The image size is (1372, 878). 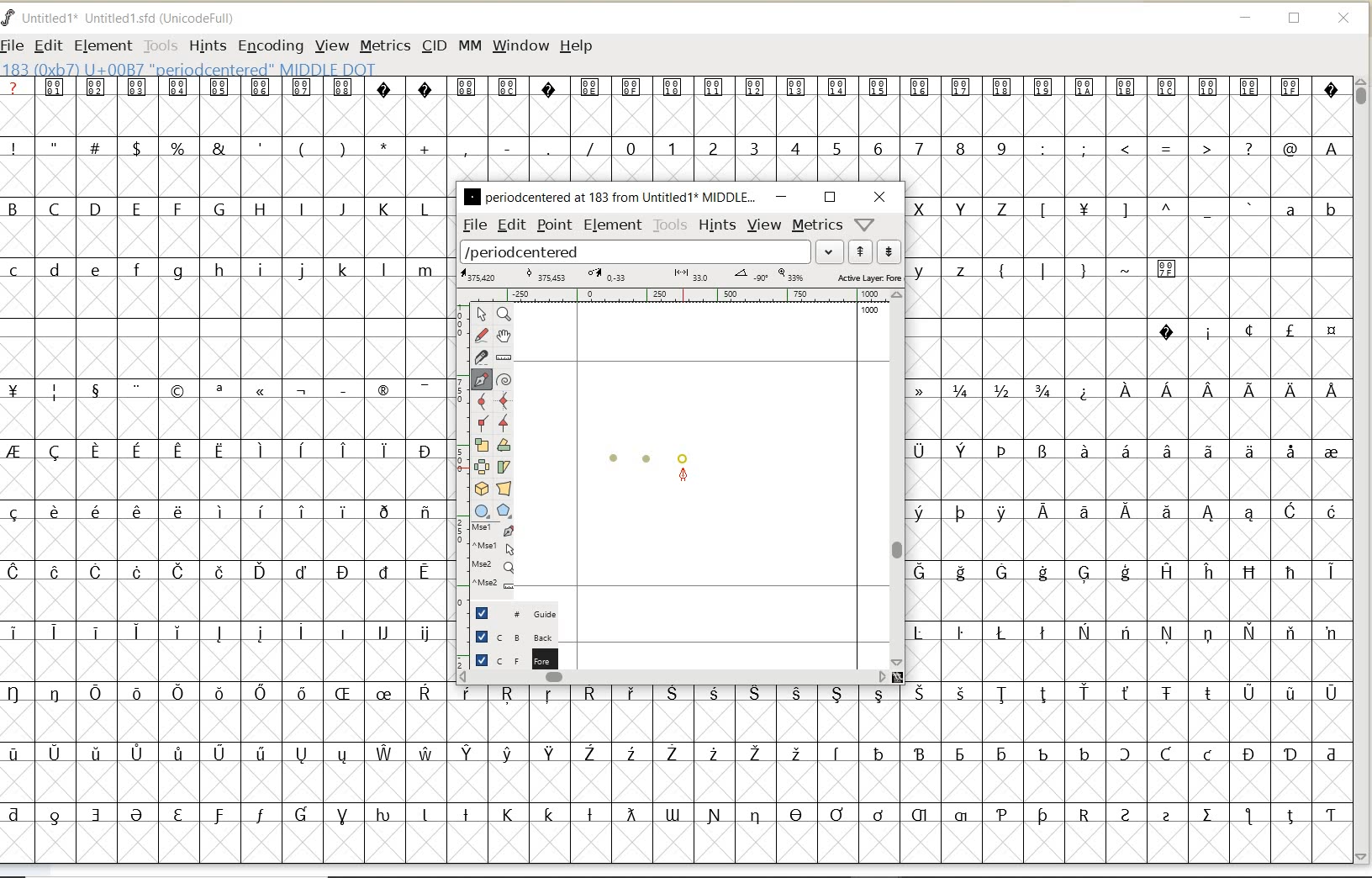 I want to click on FILE, so click(x=14, y=45).